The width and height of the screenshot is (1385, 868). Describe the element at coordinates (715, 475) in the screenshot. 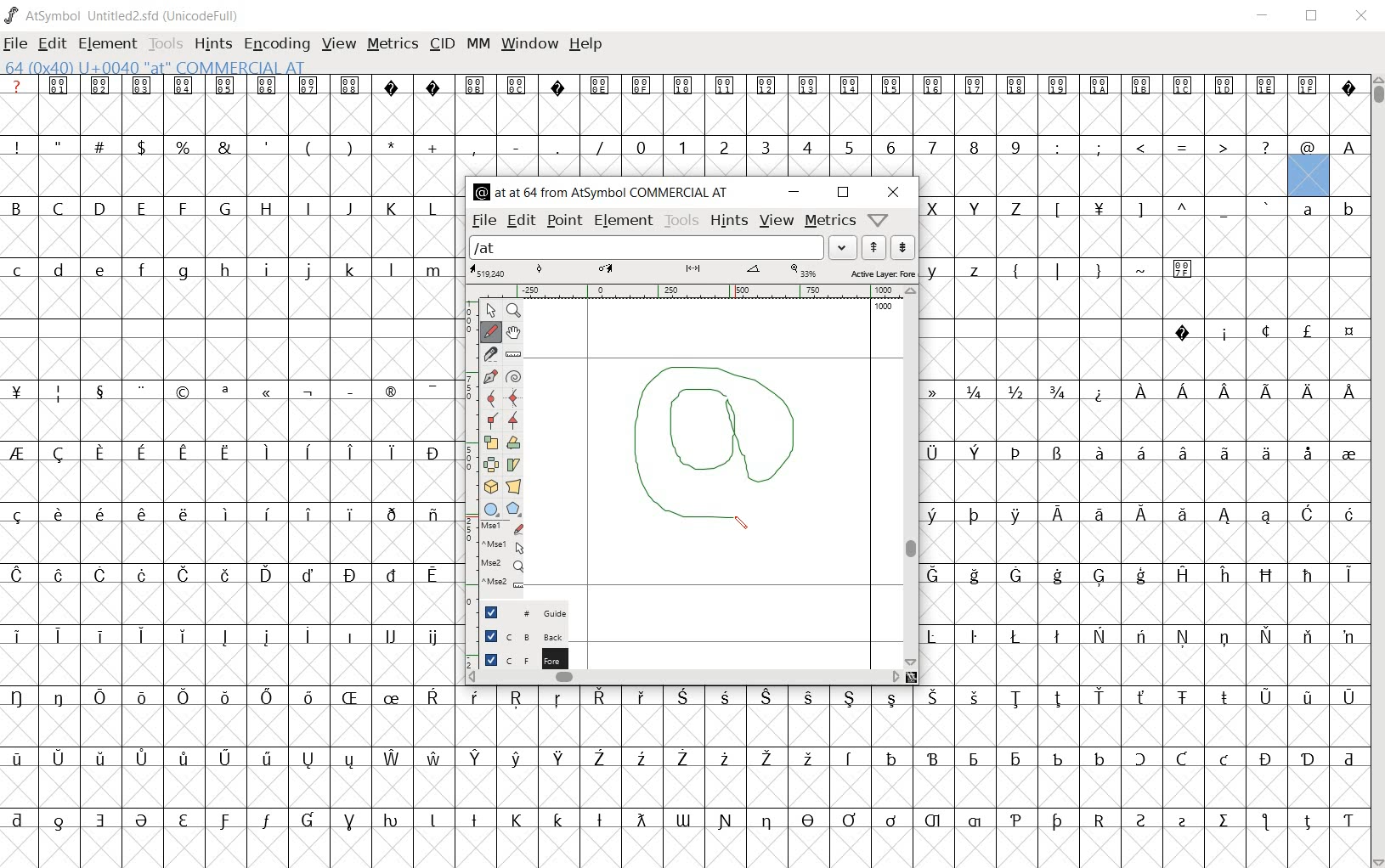

I see `designing at sign` at that location.